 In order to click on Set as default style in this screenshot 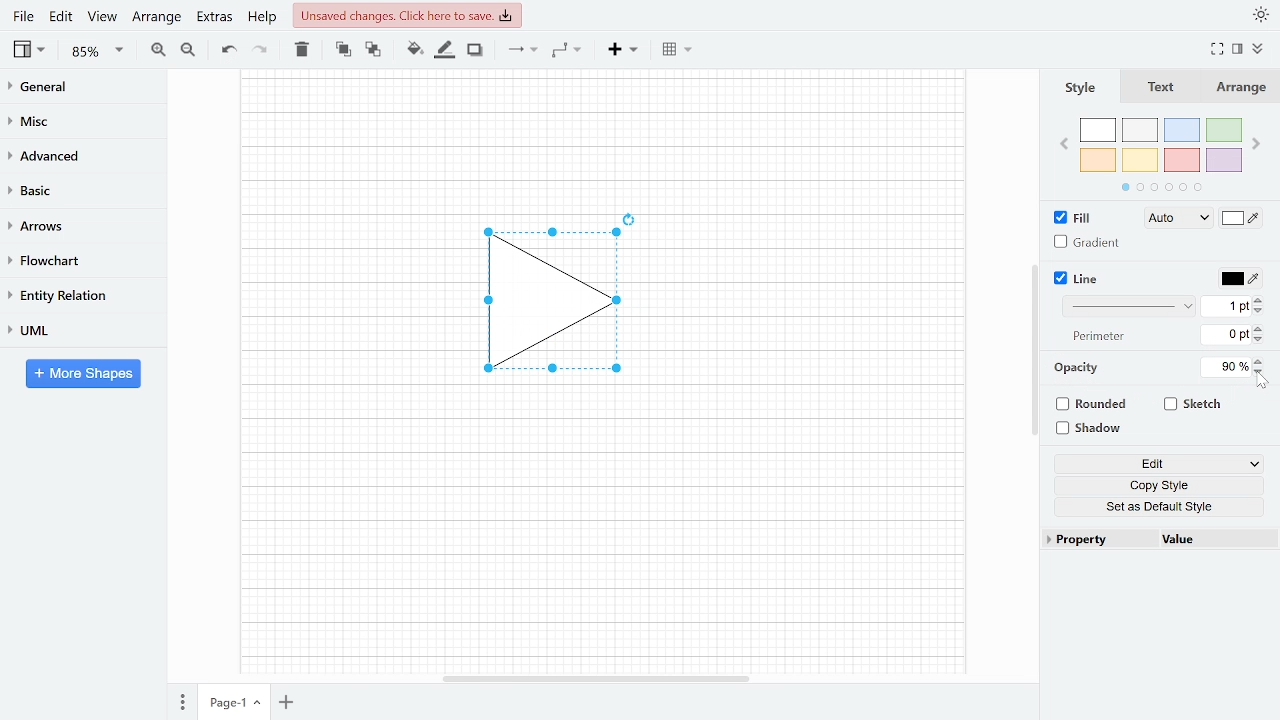, I will do `click(1162, 506)`.